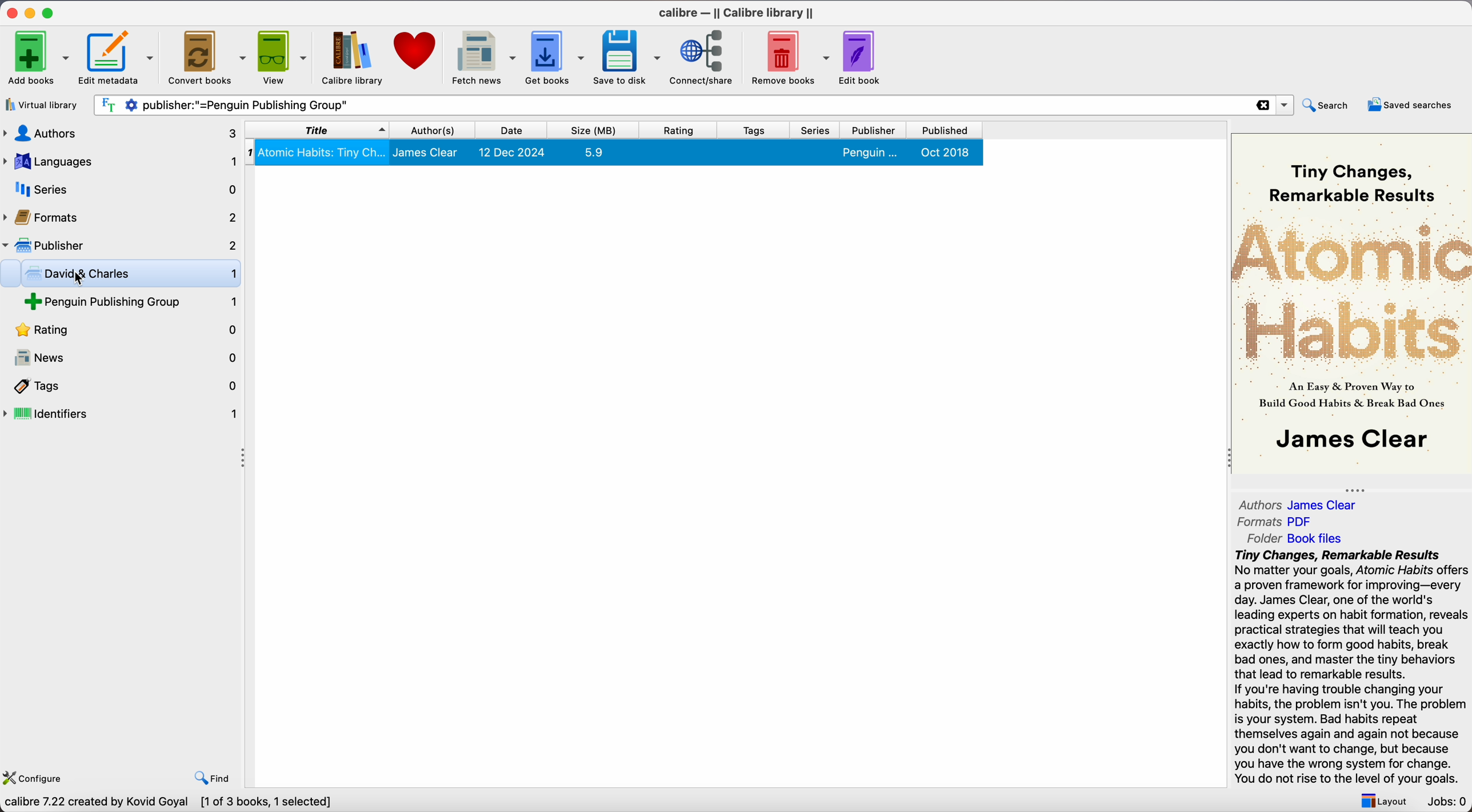 The width and height of the screenshot is (1472, 812). What do you see at coordinates (947, 130) in the screenshot?
I see `published` at bounding box center [947, 130].